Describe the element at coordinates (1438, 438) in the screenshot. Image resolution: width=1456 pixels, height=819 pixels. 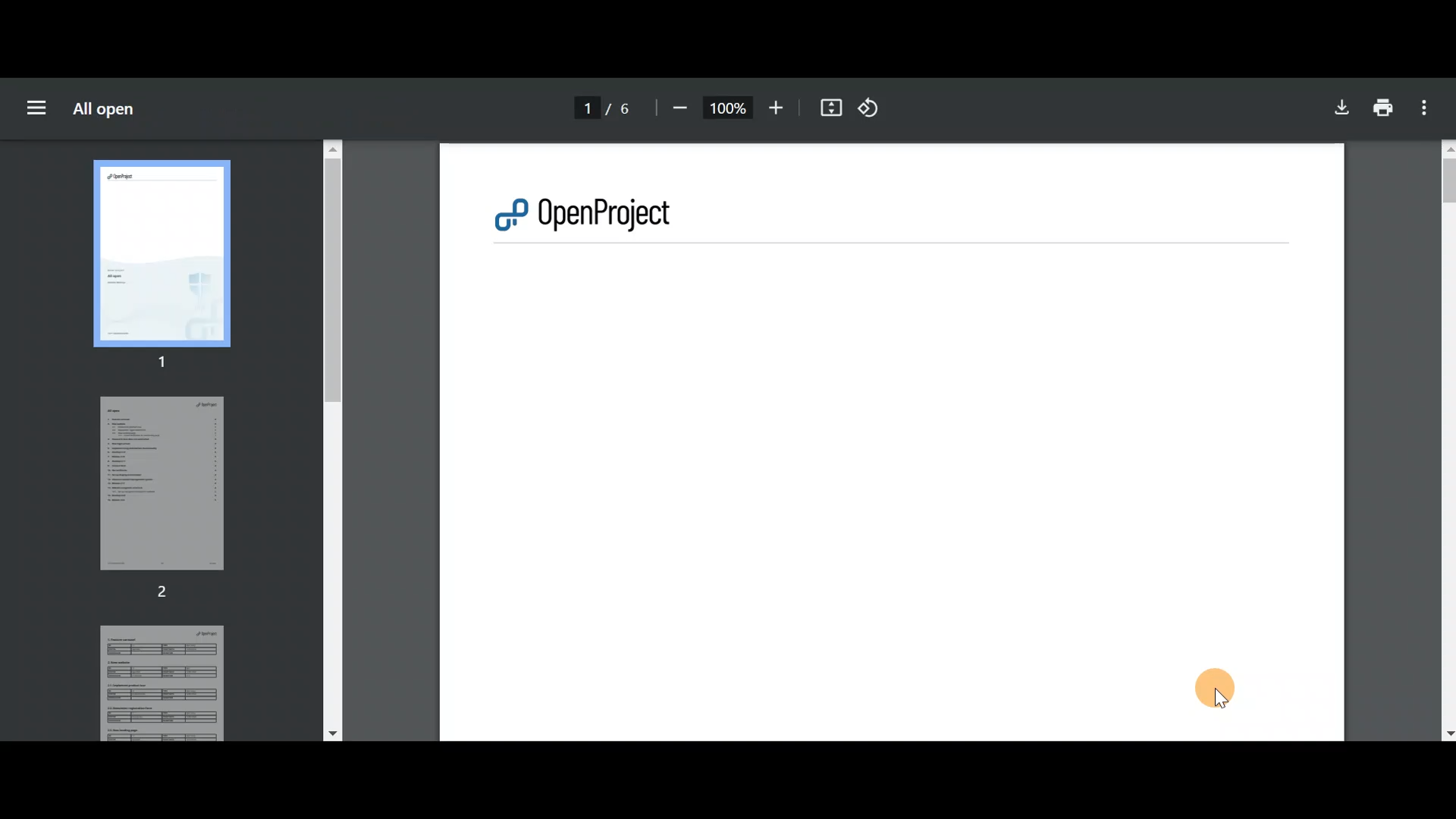
I see `Scroll bar` at that location.